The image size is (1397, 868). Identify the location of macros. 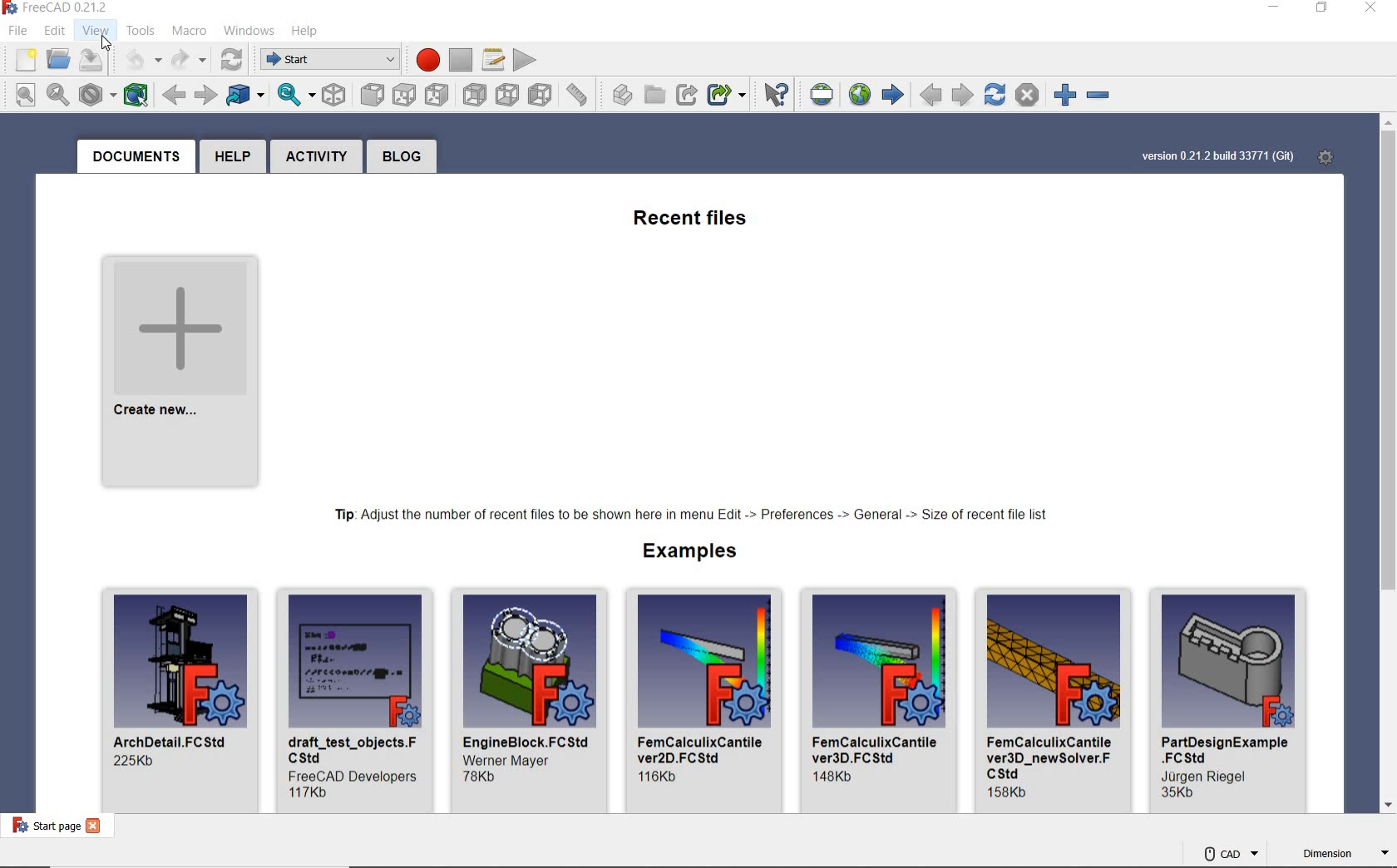
(493, 60).